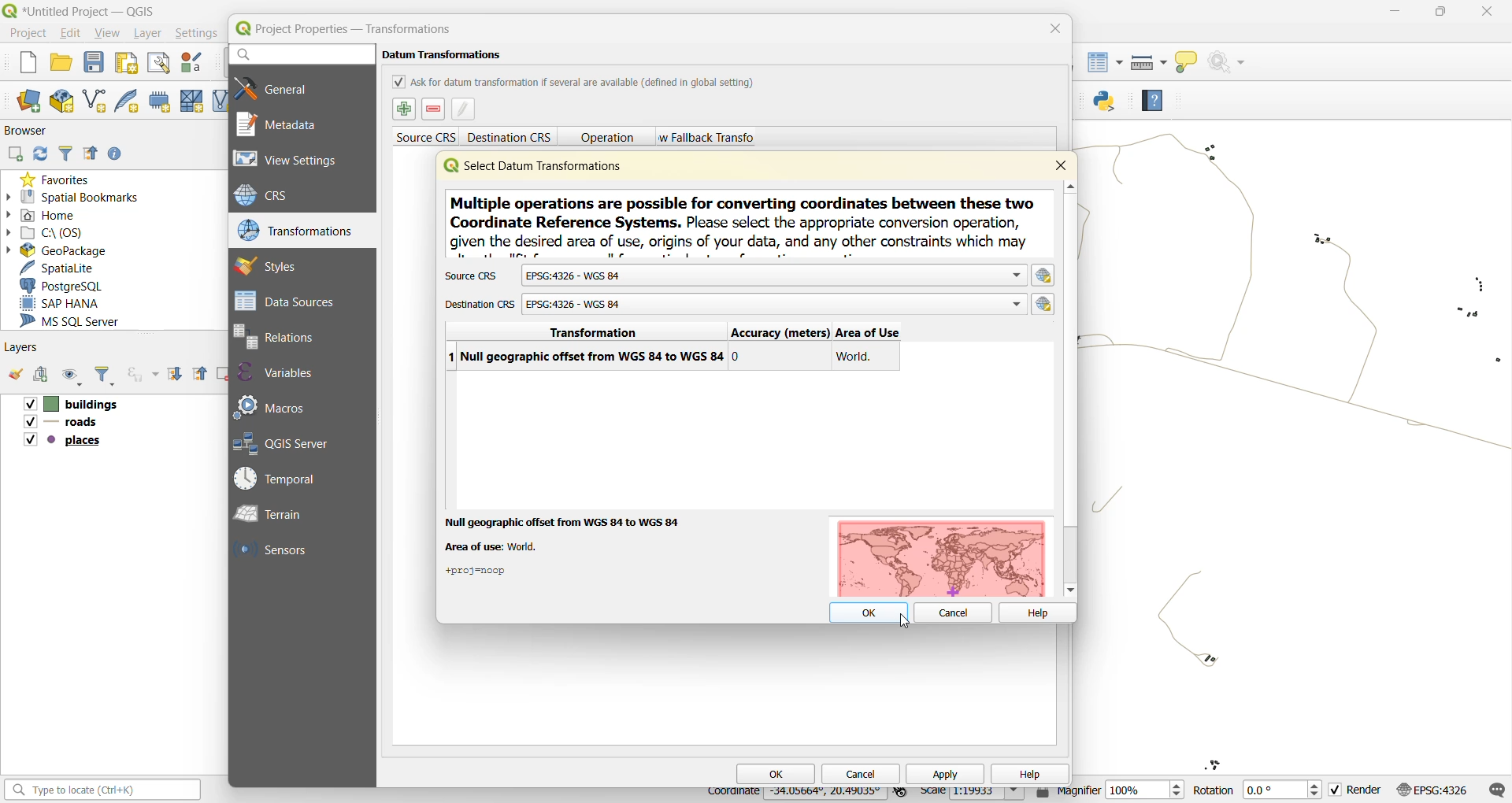  Describe the element at coordinates (74, 198) in the screenshot. I see `spatial bookmarks` at that location.